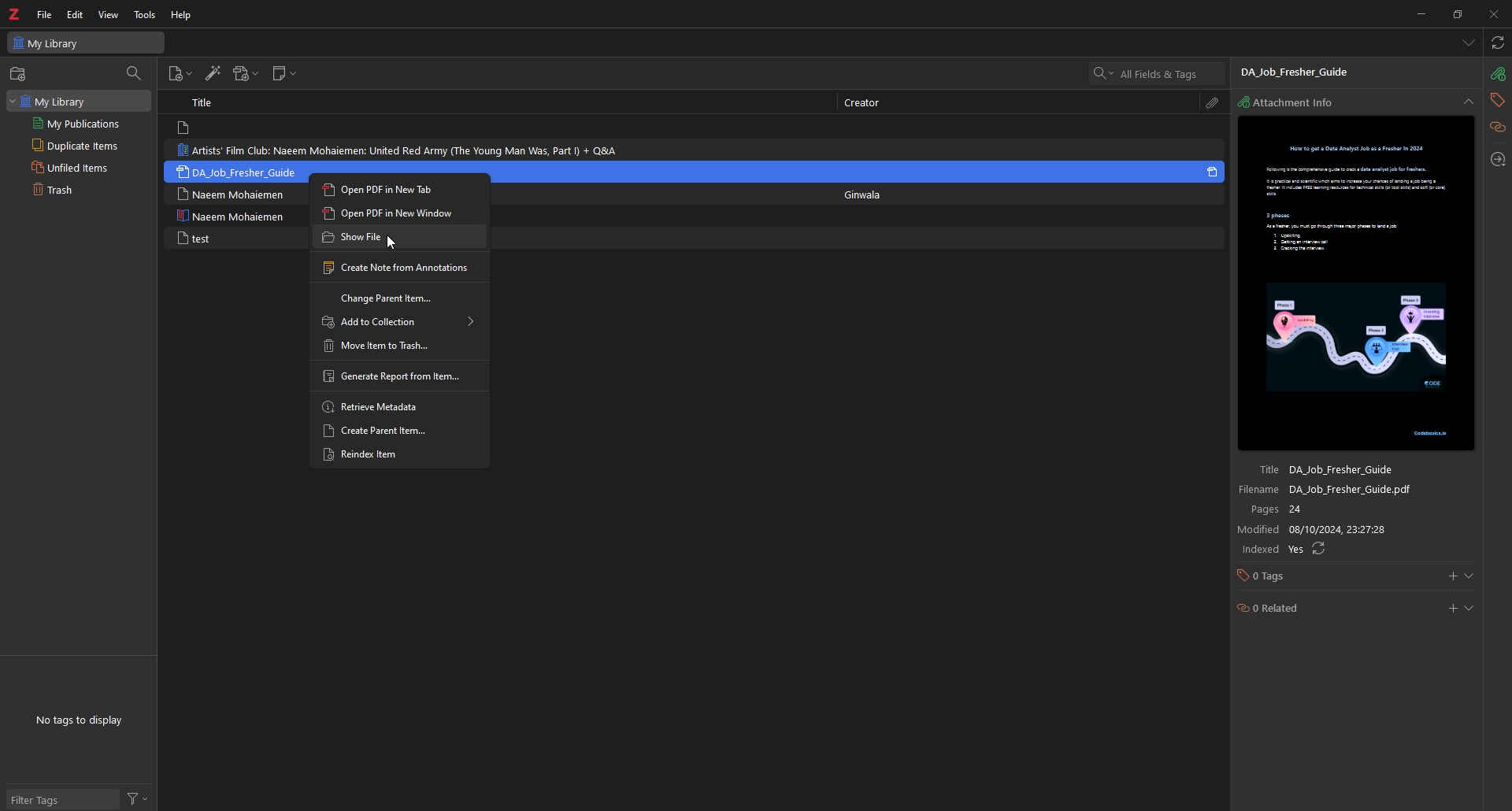 This screenshot has height=811, width=1512. I want to click on show, so click(1470, 576).